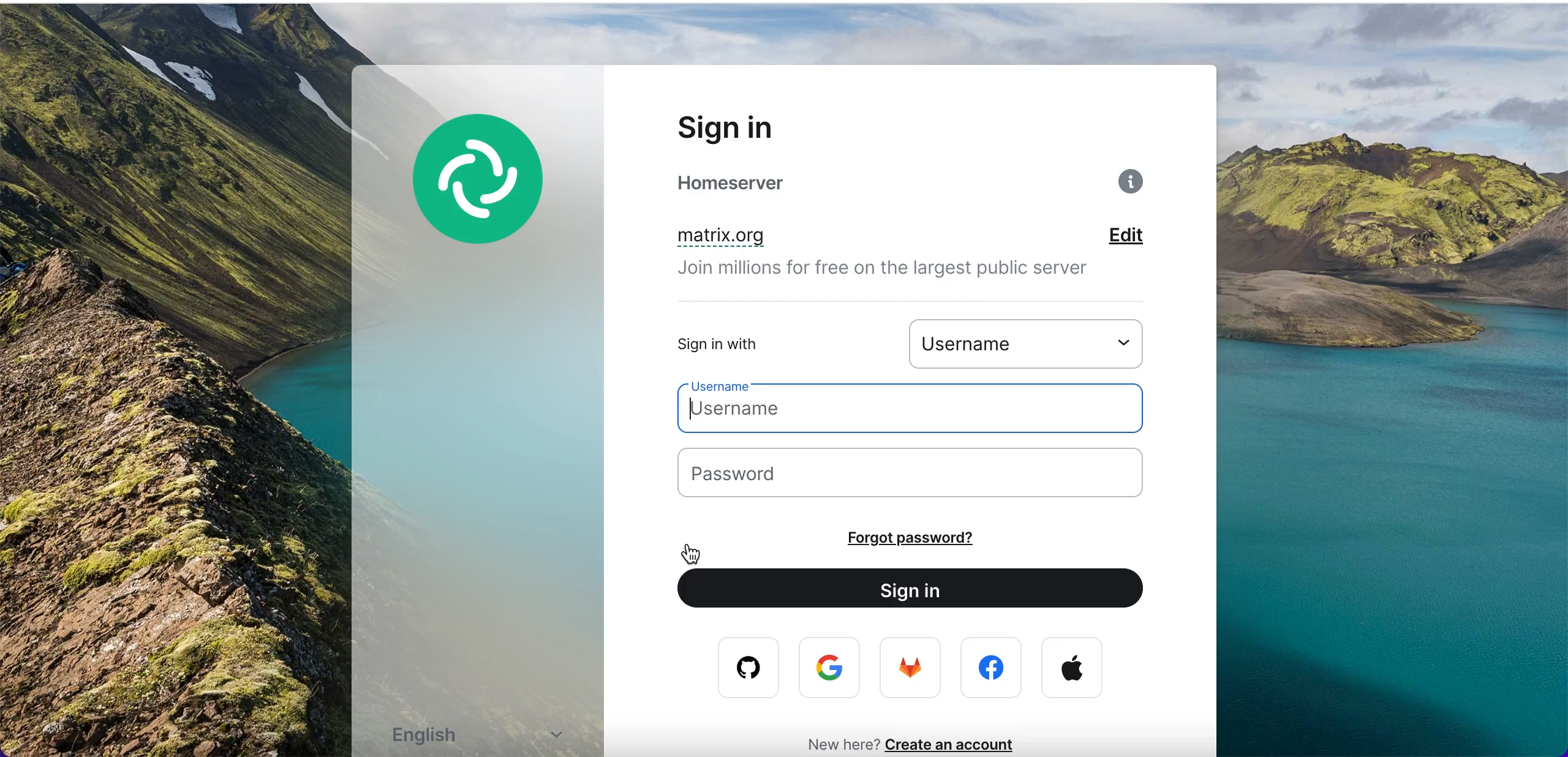 The width and height of the screenshot is (1568, 757). I want to click on cursor, so click(687, 554).